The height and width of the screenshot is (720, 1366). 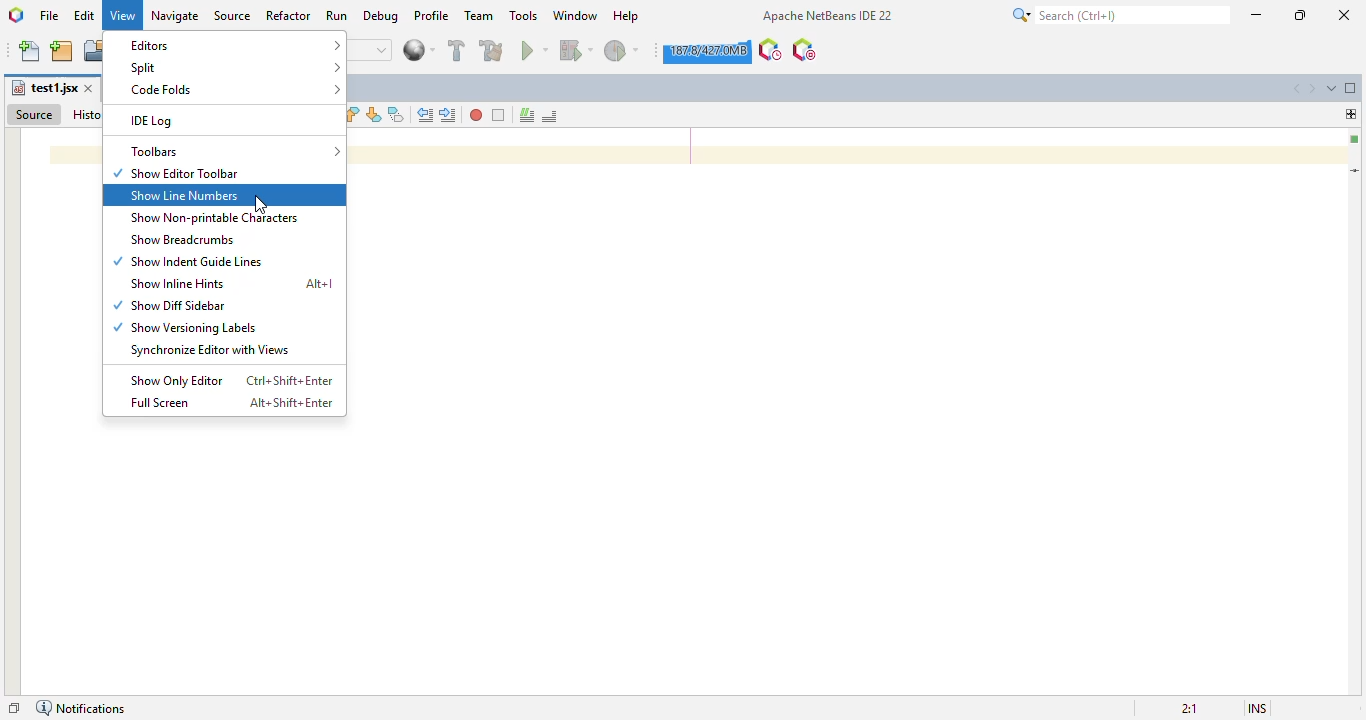 What do you see at coordinates (260, 204) in the screenshot?
I see `cursor` at bounding box center [260, 204].